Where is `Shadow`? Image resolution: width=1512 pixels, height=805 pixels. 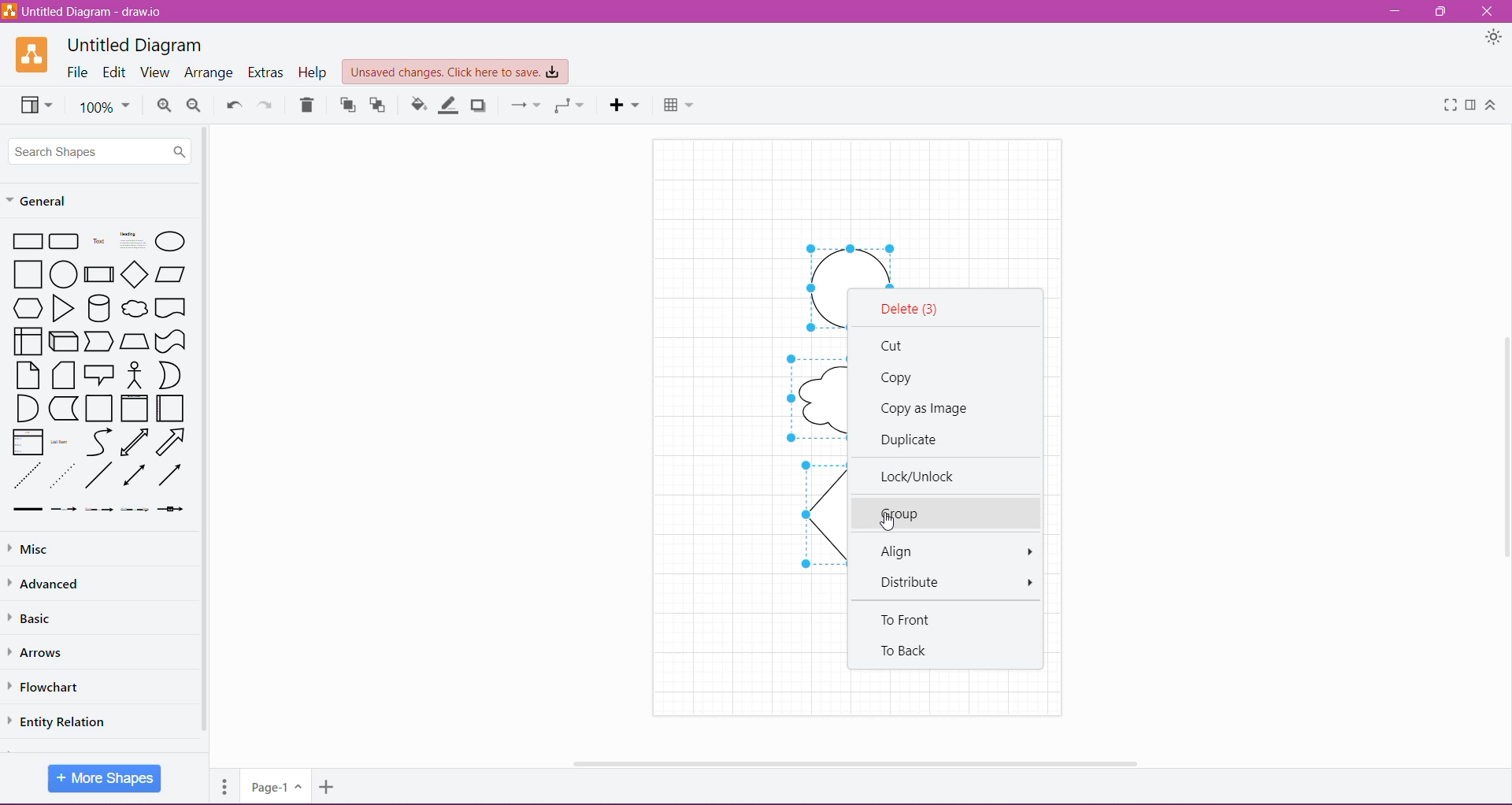
Shadow is located at coordinates (480, 105).